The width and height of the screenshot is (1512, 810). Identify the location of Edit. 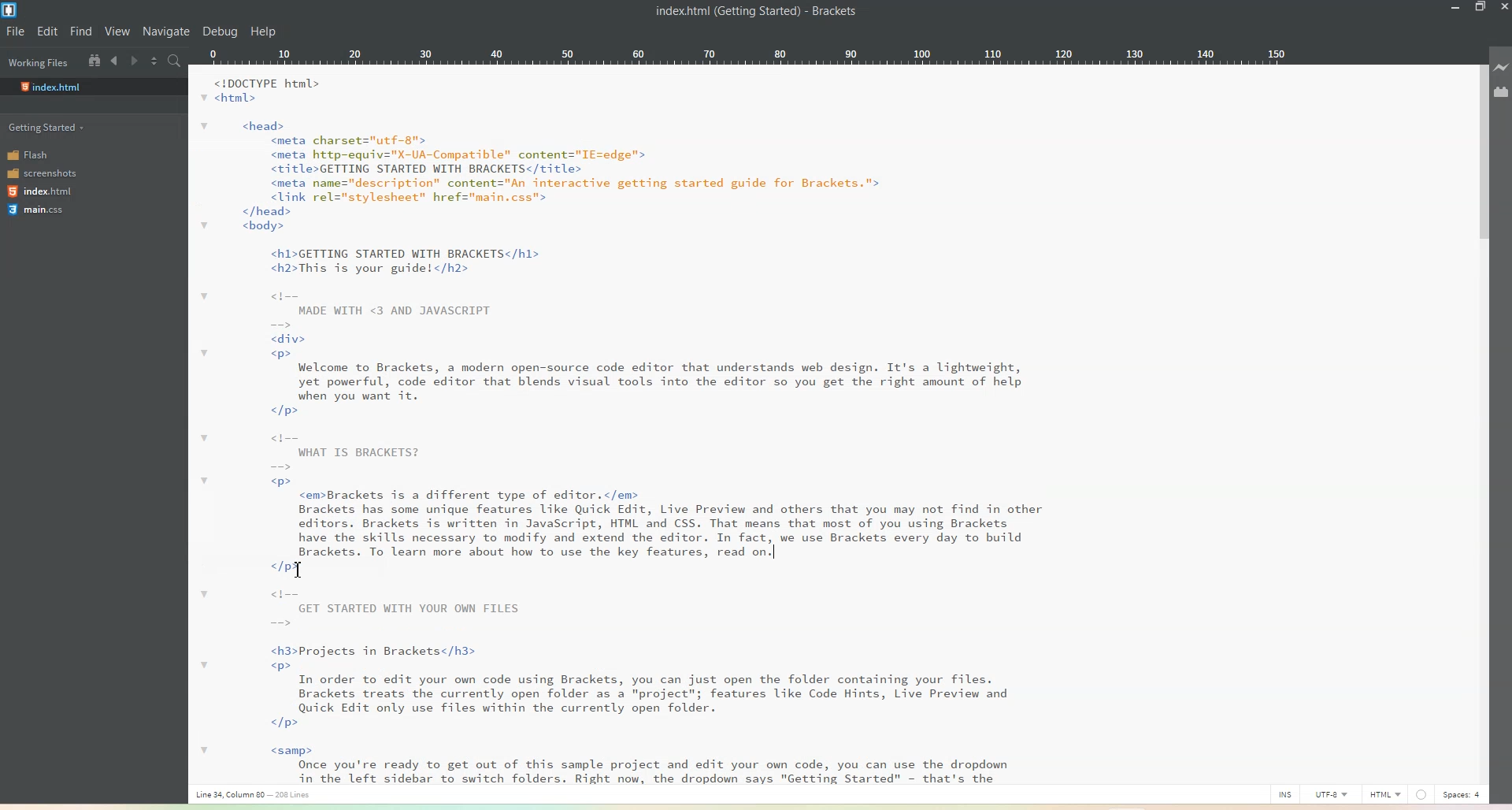
(48, 32).